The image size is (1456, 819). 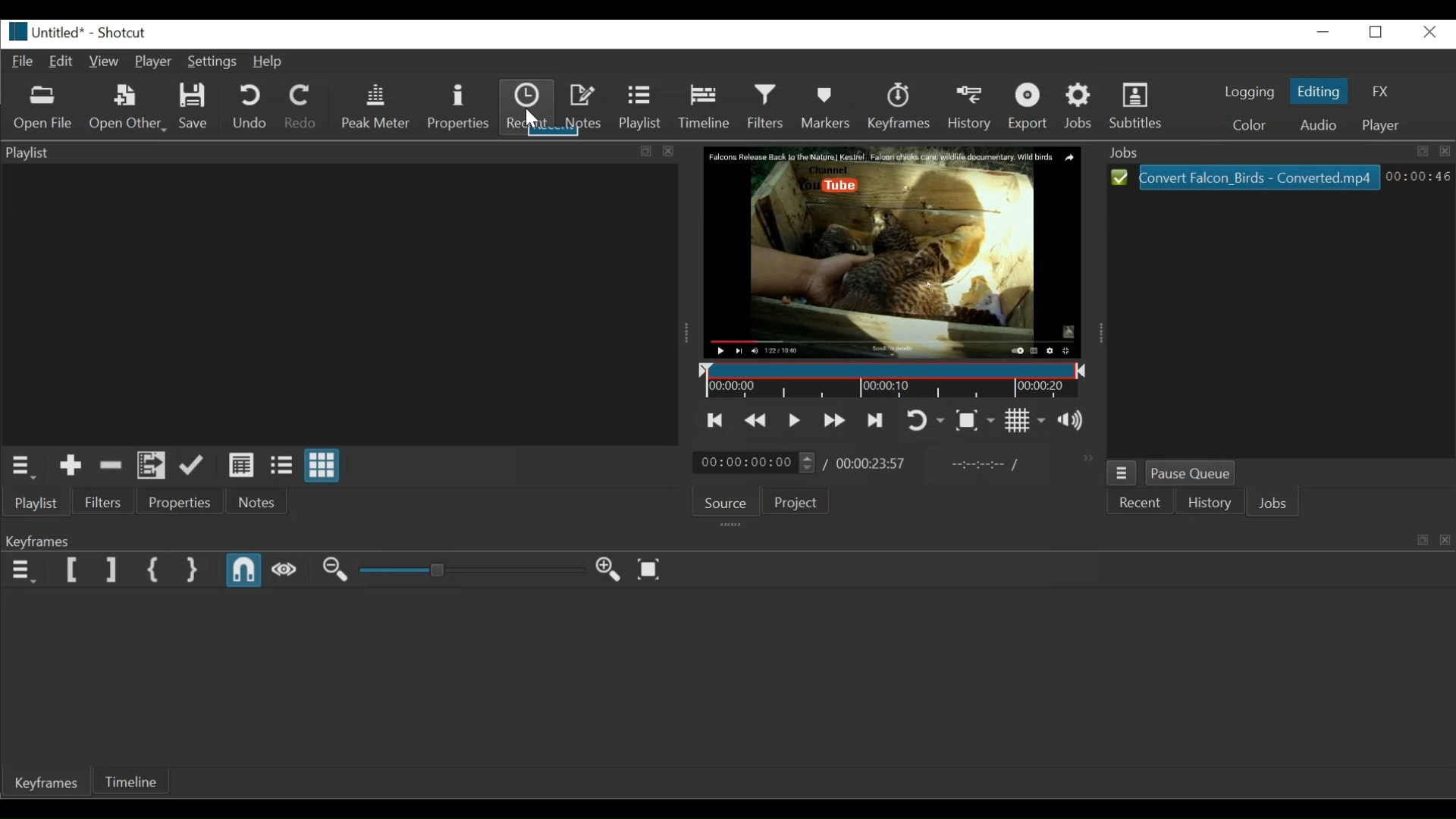 What do you see at coordinates (757, 463) in the screenshot?
I see `Current duration` at bounding box center [757, 463].